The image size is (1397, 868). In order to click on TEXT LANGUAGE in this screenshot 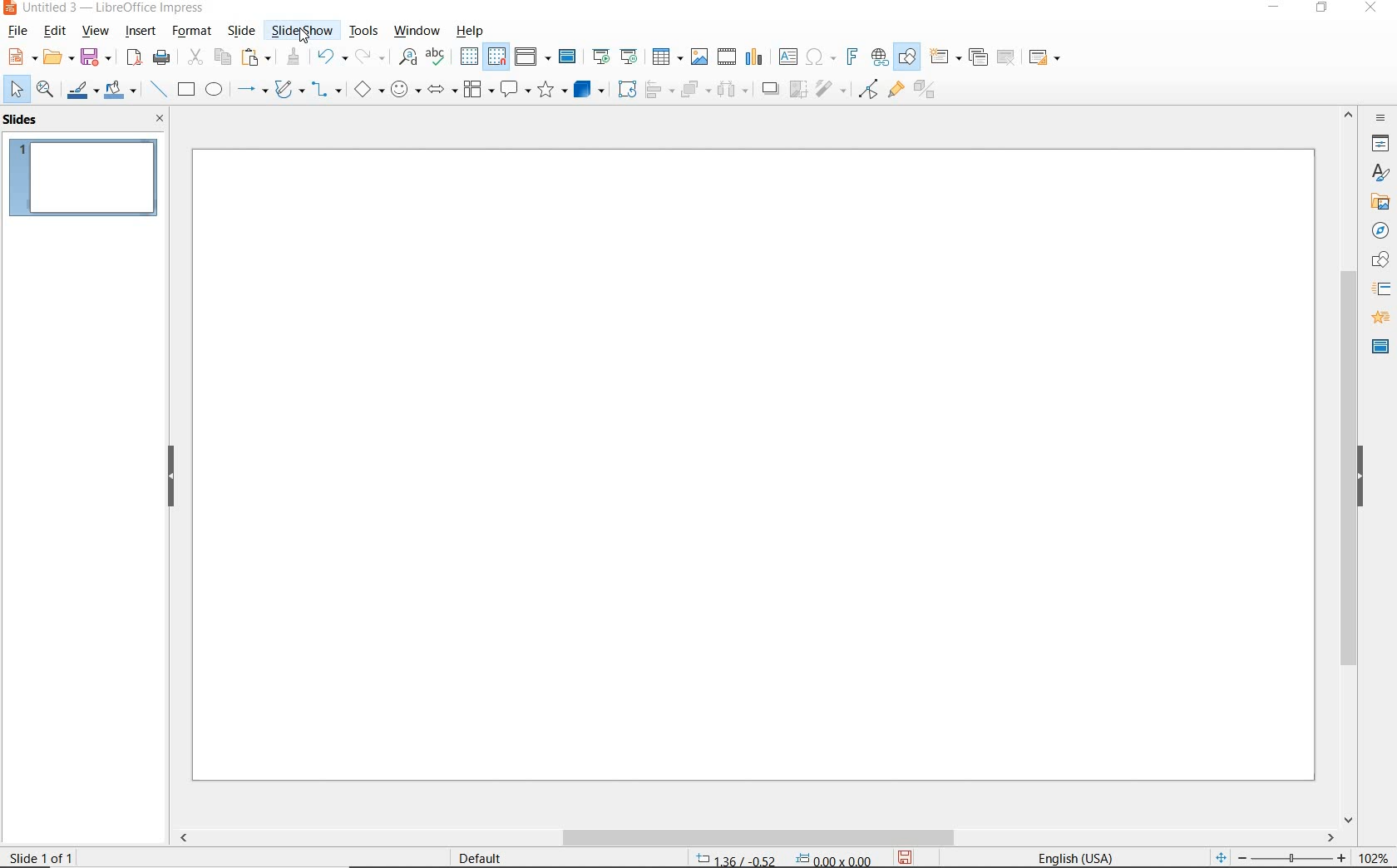, I will do `click(1076, 856)`.